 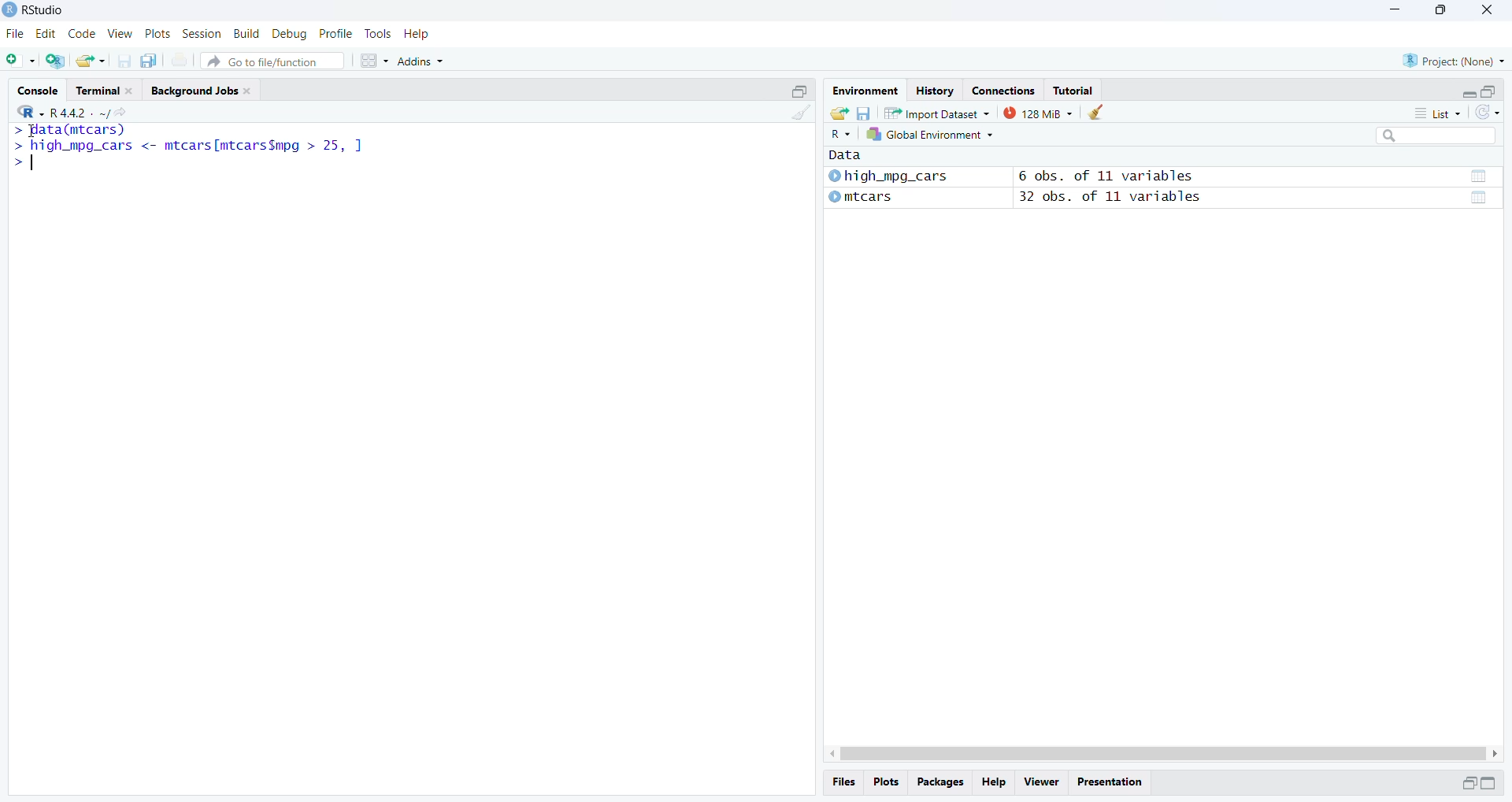 I want to click on Build, so click(x=246, y=33).